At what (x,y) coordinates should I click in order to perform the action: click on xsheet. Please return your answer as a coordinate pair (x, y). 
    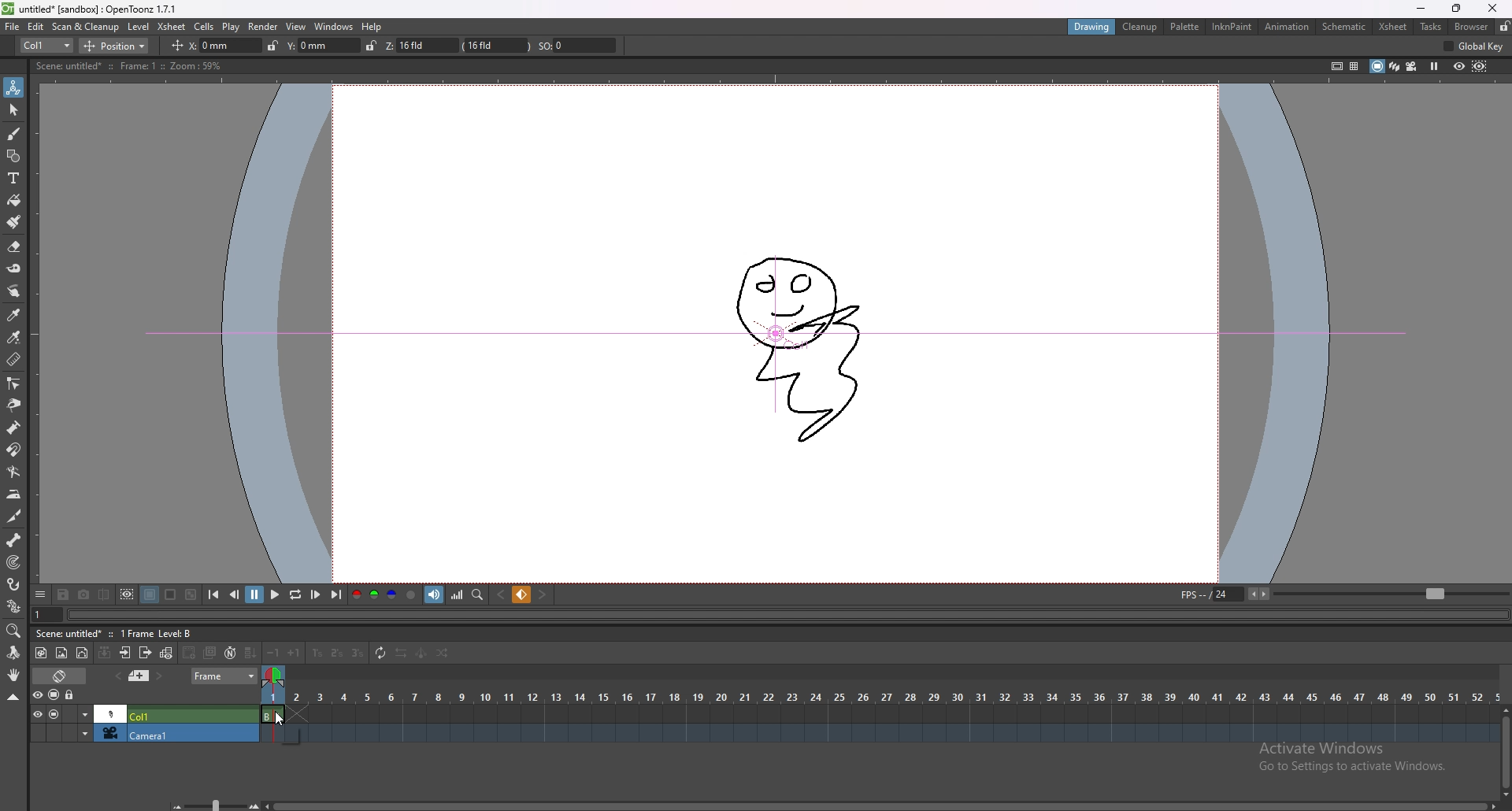
    Looking at the image, I should click on (172, 27).